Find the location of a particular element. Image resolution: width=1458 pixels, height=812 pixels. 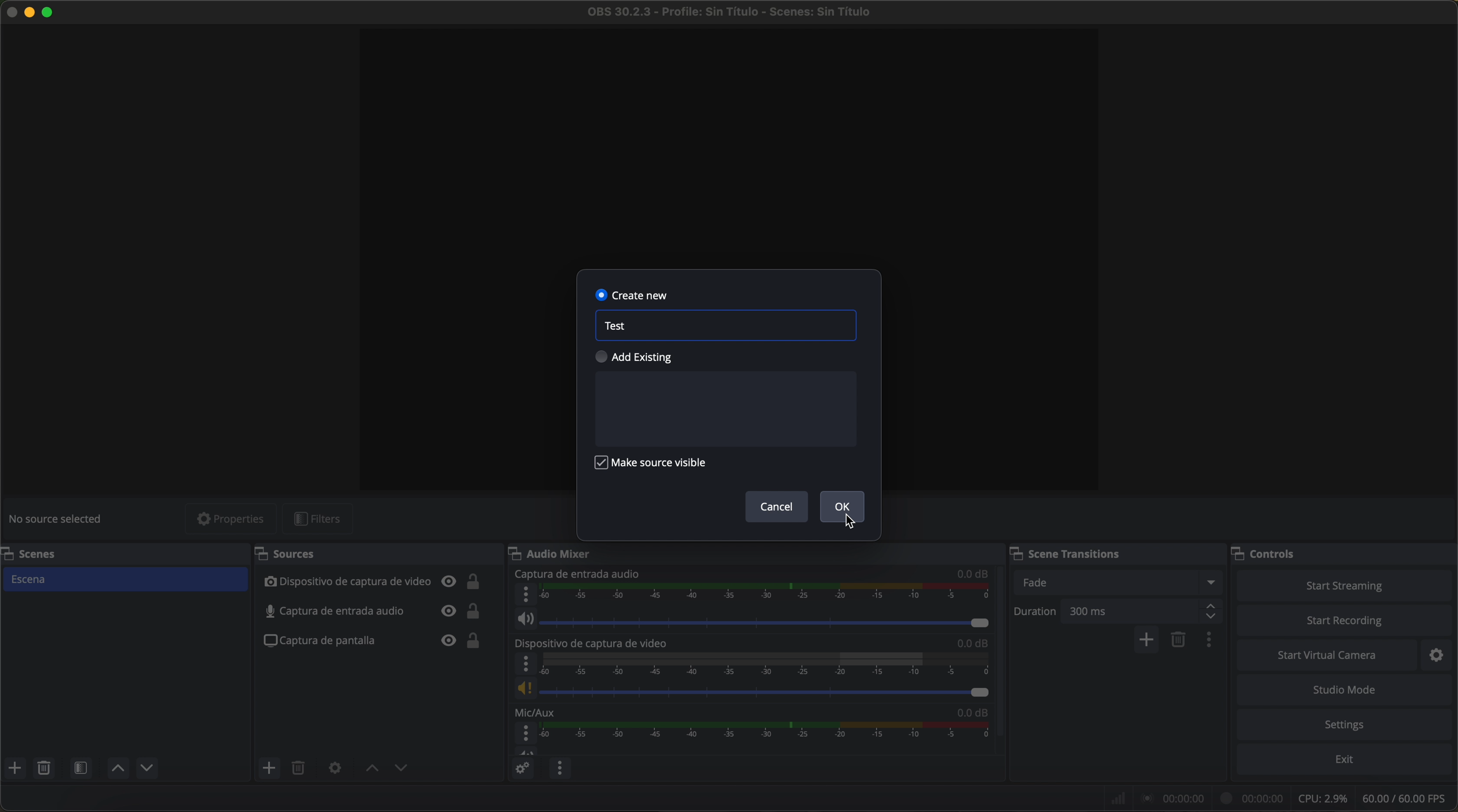

audio input capture is located at coordinates (373, 611).